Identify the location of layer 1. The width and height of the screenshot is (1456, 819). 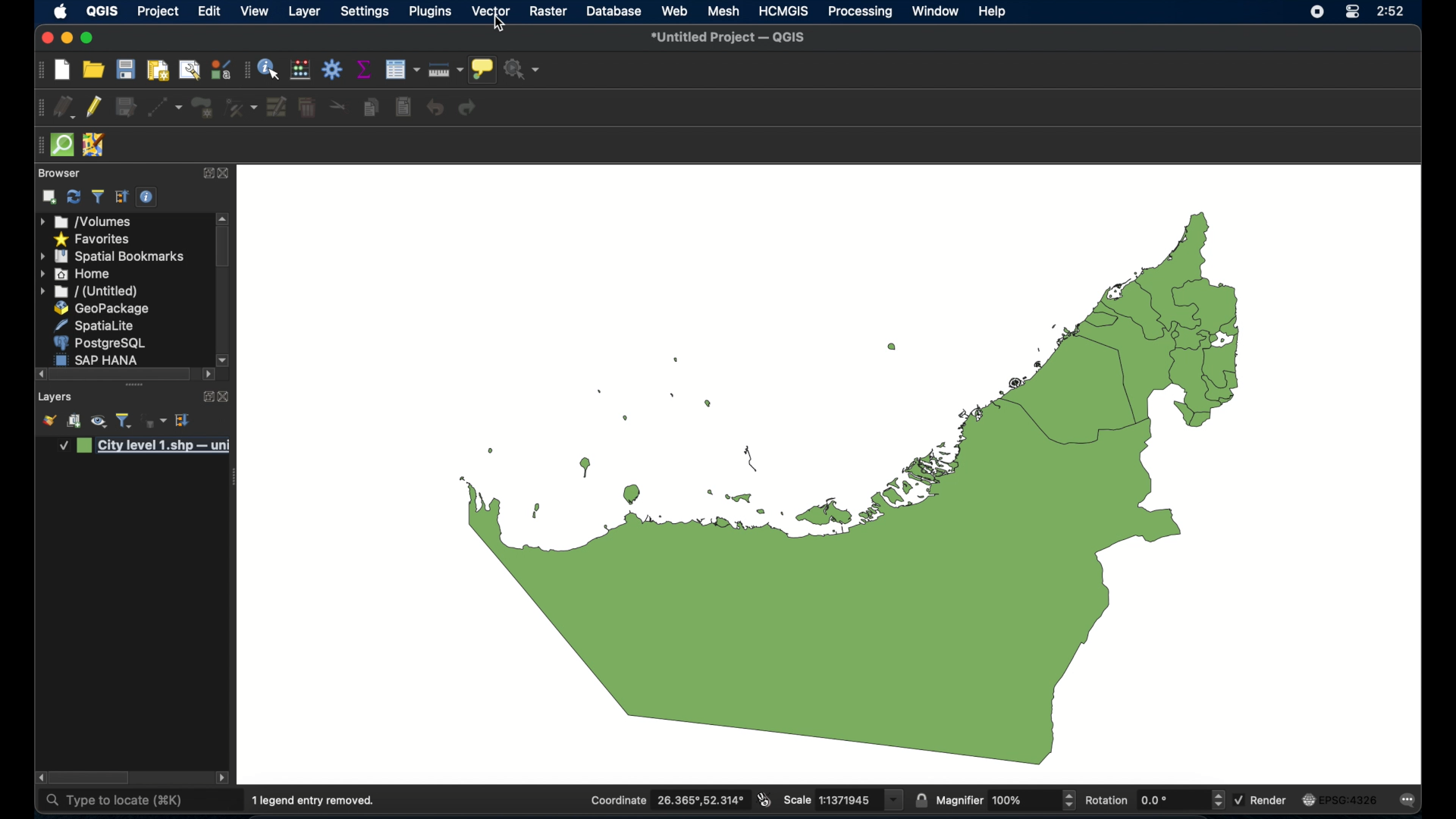
(146, 447).